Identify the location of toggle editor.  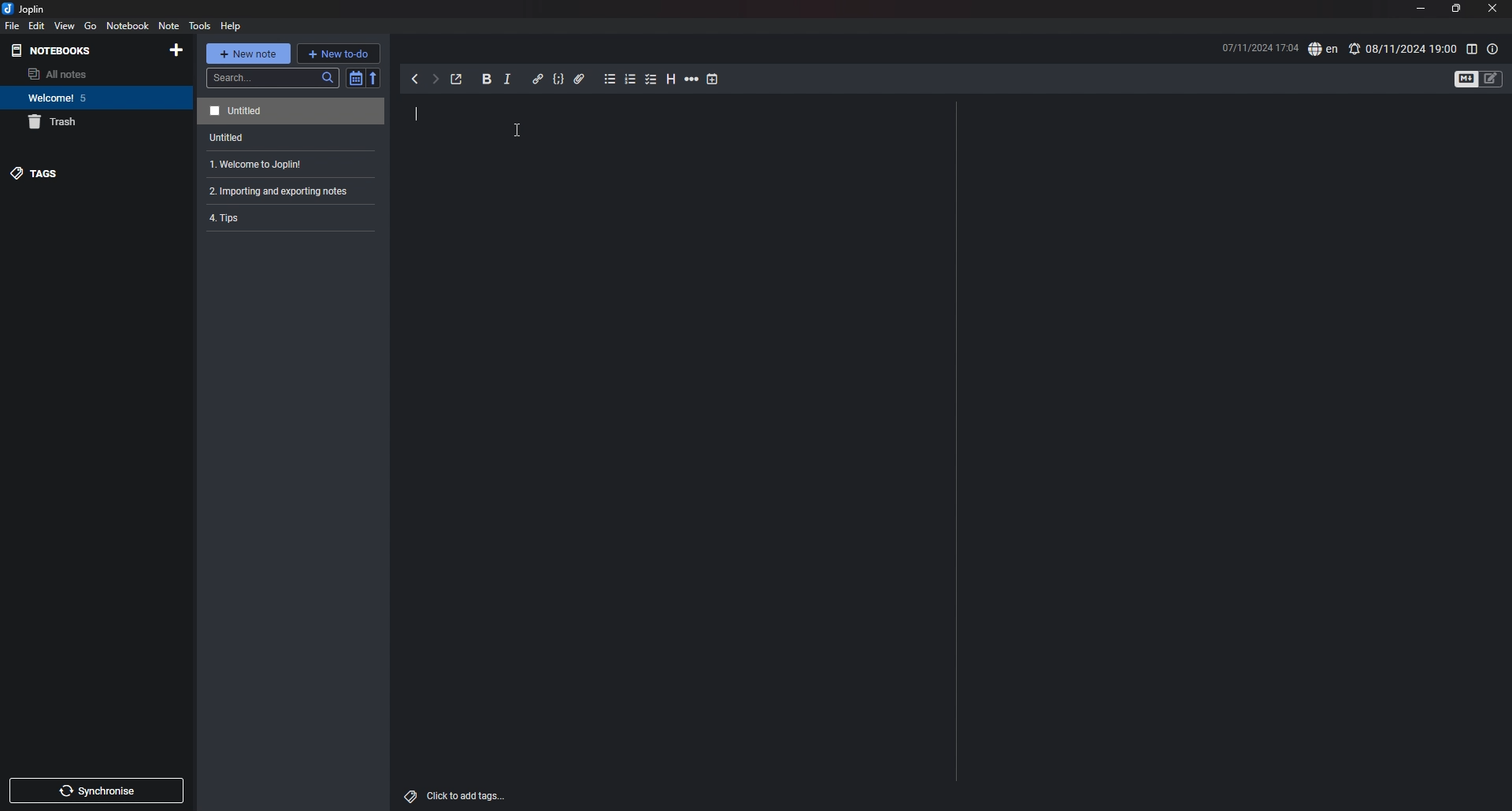
(1465, 79).